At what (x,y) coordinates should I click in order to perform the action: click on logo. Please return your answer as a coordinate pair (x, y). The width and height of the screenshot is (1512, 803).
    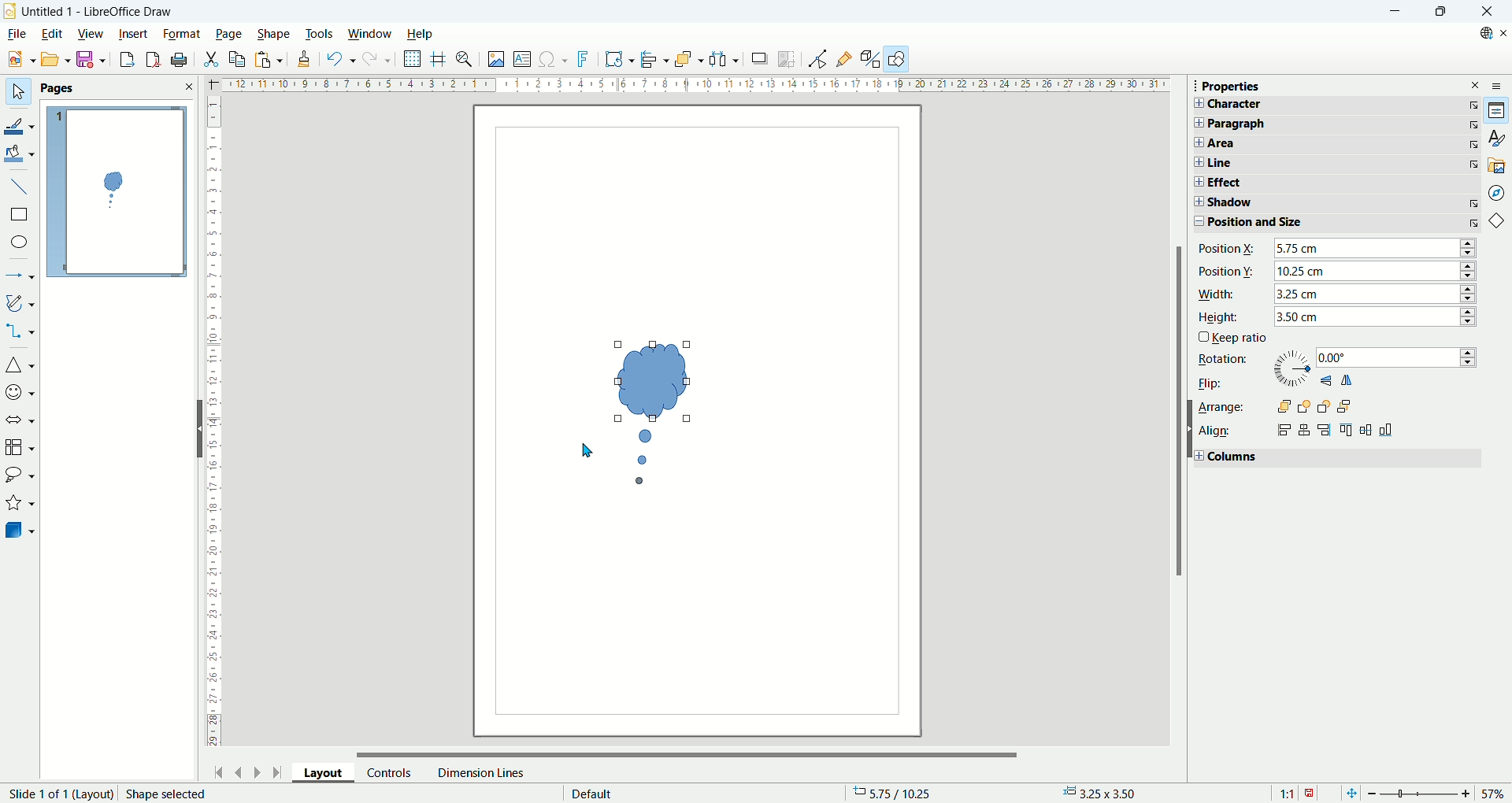
    Looking at the image, I should click on (10, 10).